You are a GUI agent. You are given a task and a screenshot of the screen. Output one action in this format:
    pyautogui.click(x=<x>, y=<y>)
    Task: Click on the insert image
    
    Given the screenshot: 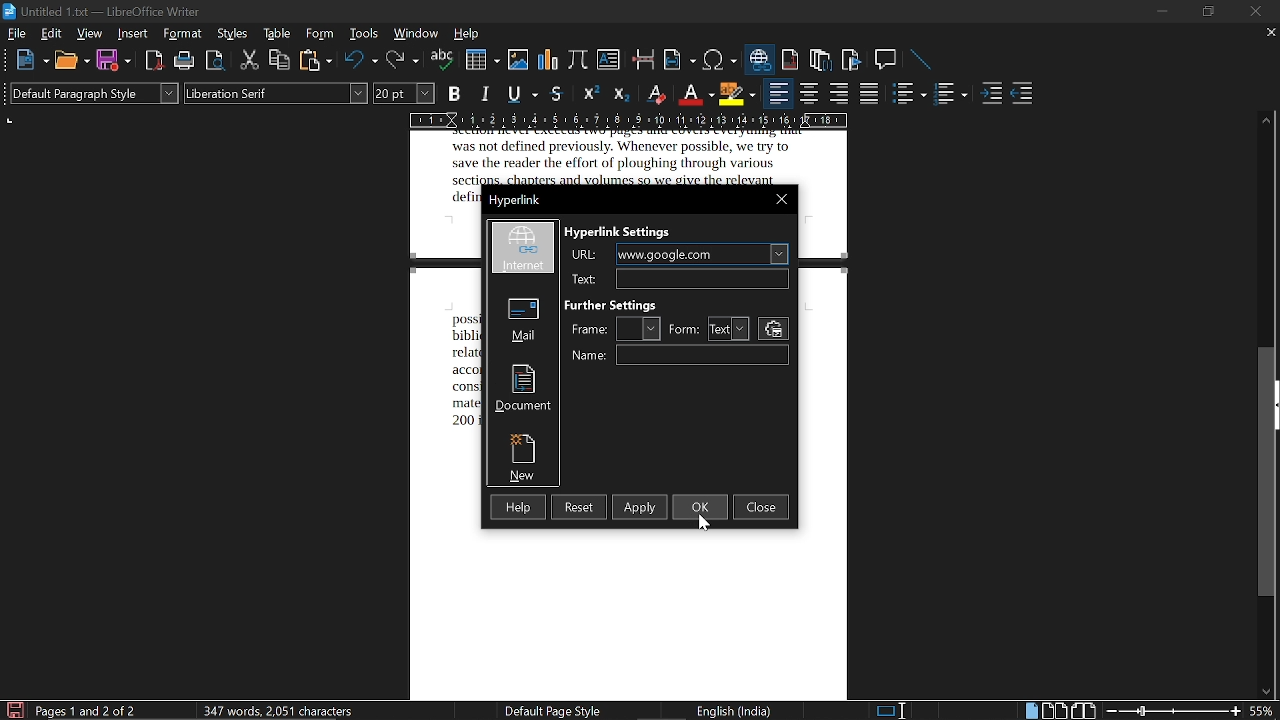 What is the action you would take?
    pyautogui.click(x=518, y=62)
    